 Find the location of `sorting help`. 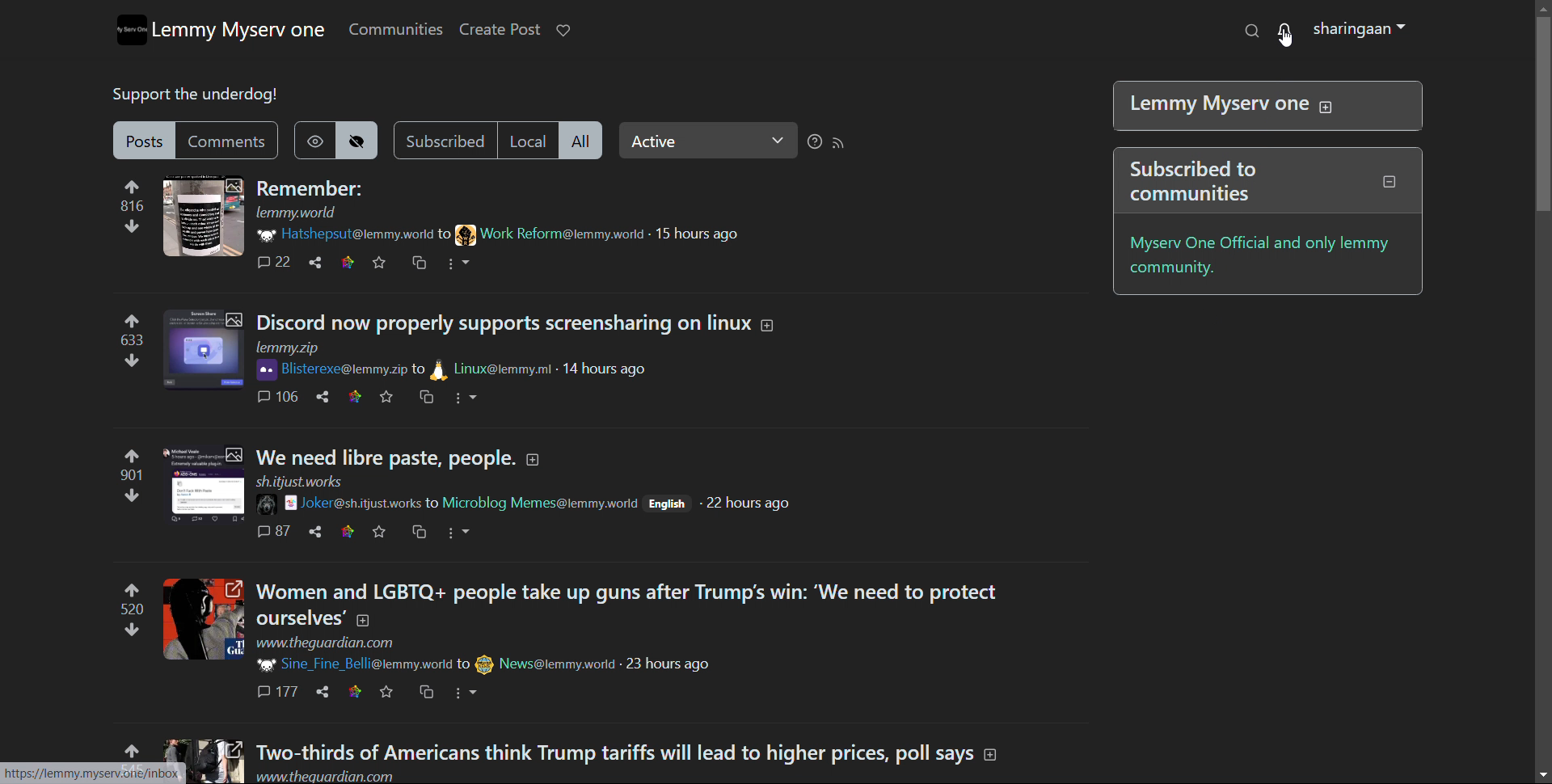

sorting help is located at coordinates (814, 141).